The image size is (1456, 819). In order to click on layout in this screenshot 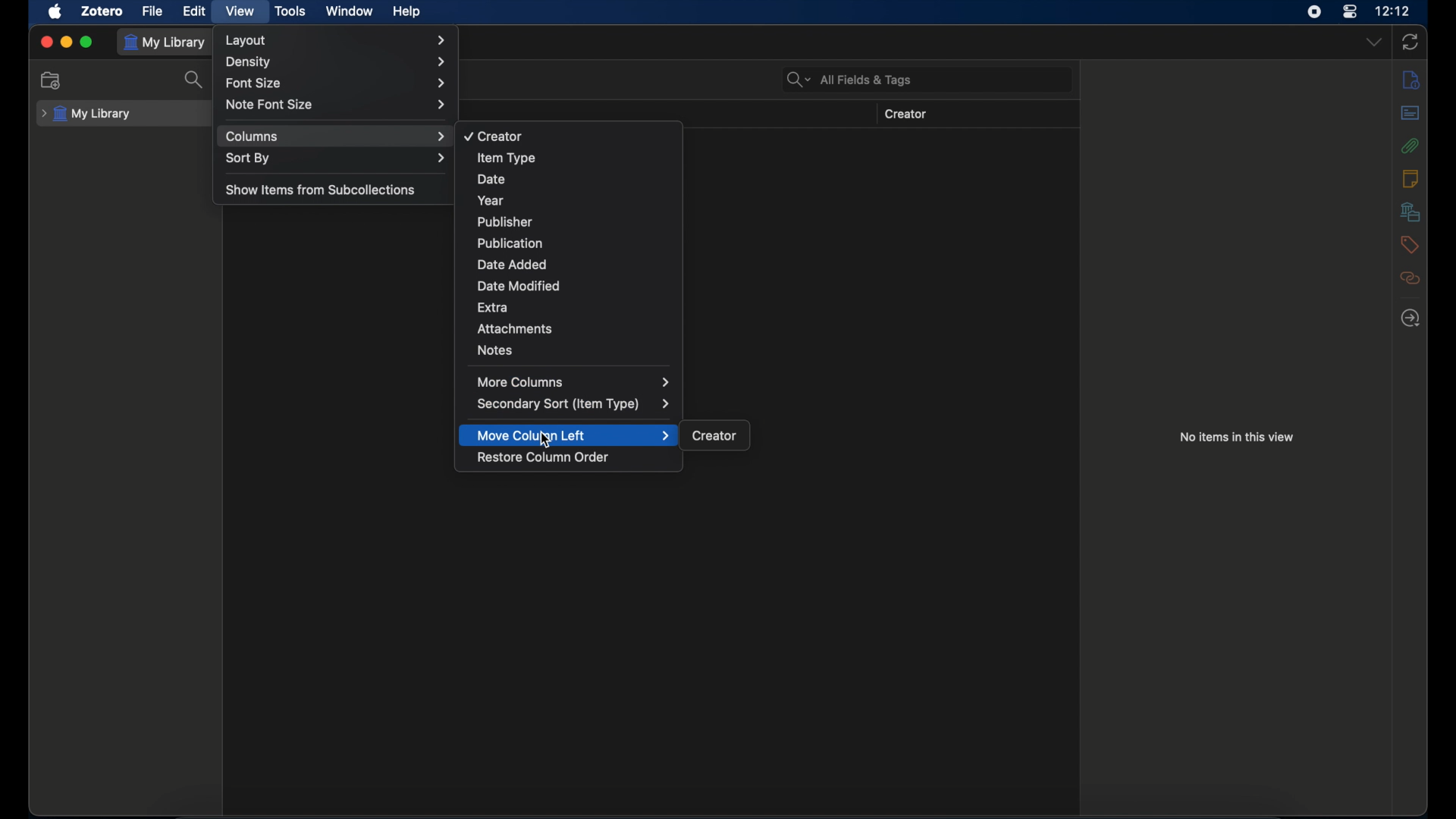, I will do `click(337, 40)`.